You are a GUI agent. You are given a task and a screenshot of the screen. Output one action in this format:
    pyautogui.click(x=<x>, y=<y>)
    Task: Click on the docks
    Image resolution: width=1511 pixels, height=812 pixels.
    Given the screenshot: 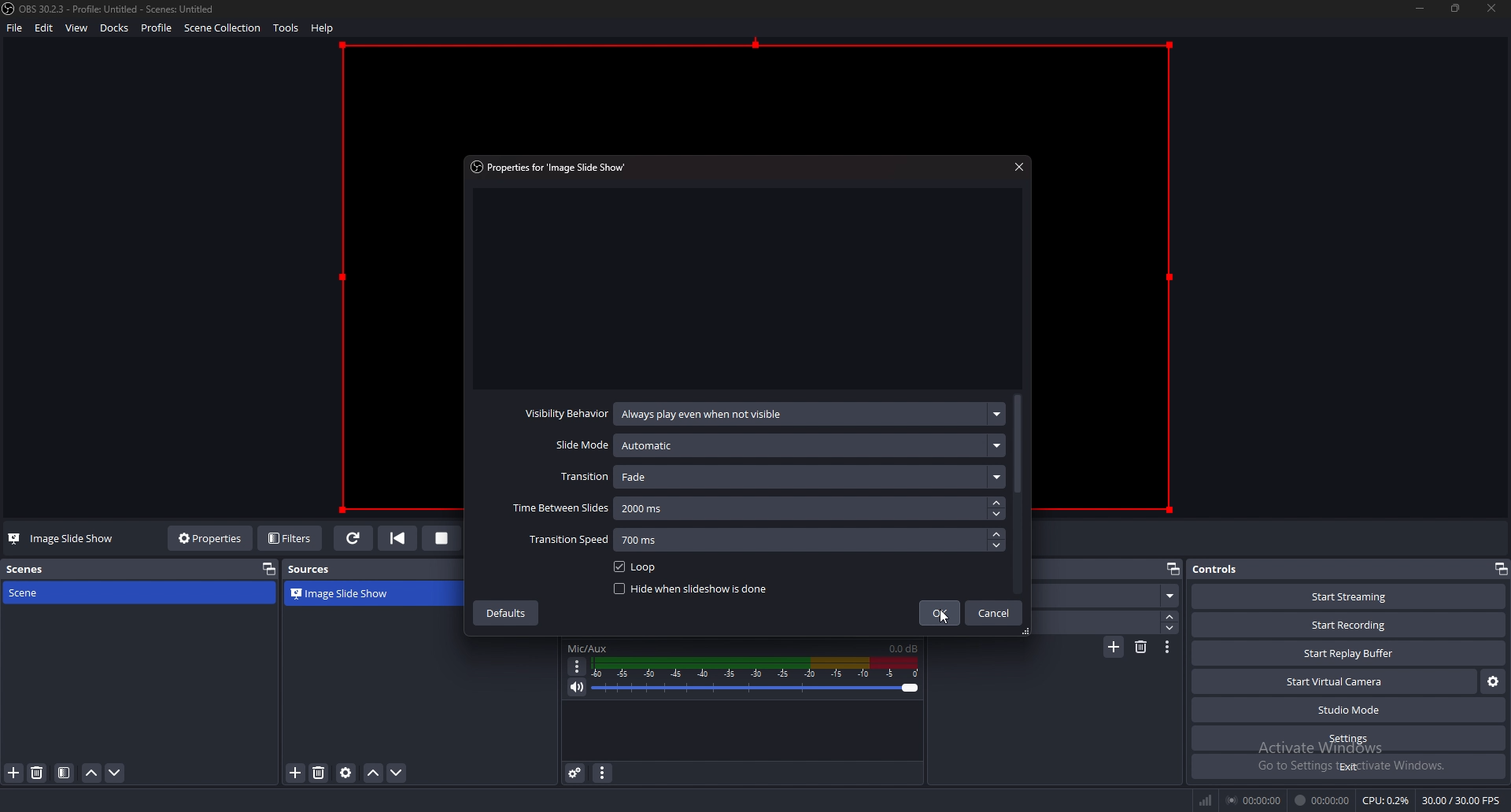 What is the action you would take?
    pyautogui.click(x=114, y=28)
    